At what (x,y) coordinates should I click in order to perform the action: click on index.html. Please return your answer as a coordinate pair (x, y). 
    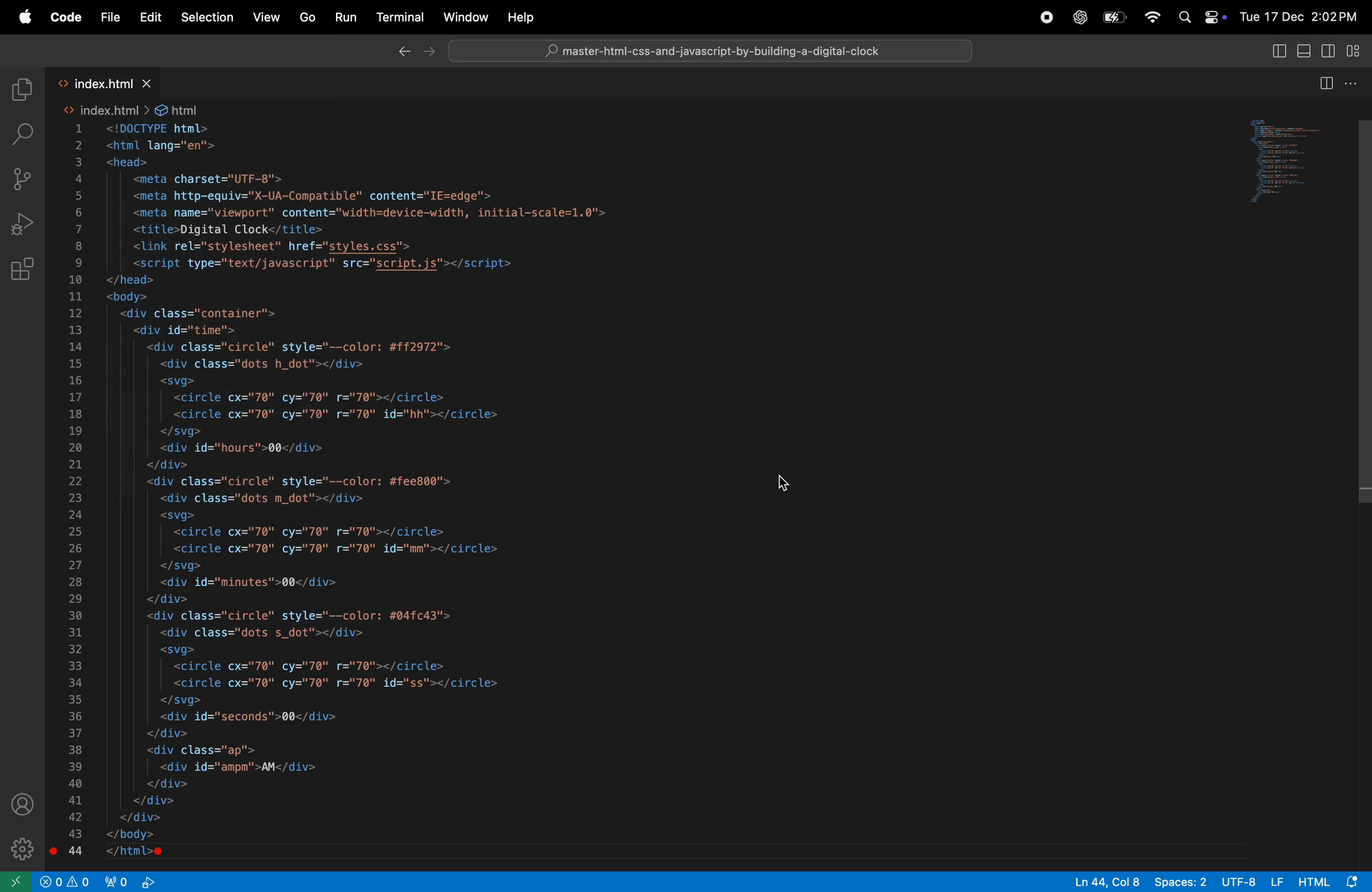
    Looking at the image, I should click on (96, 83).